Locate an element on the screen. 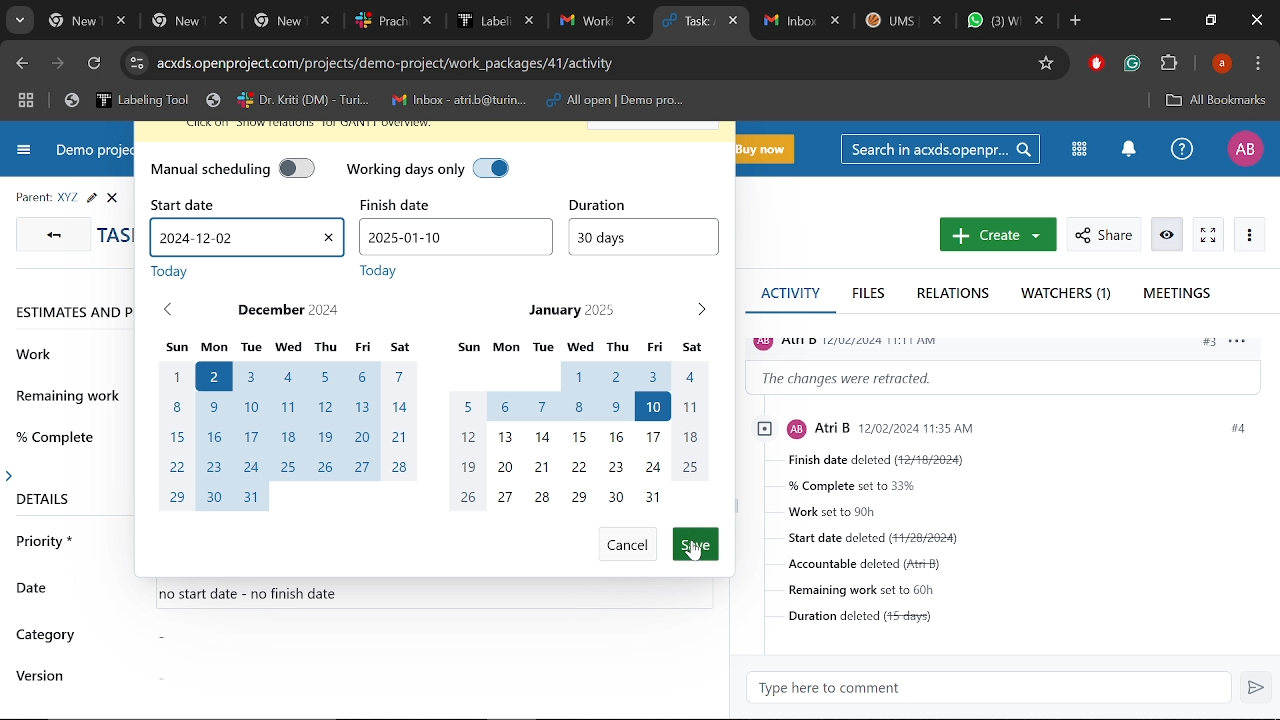  Finish date is located at coordinates (455, 237).